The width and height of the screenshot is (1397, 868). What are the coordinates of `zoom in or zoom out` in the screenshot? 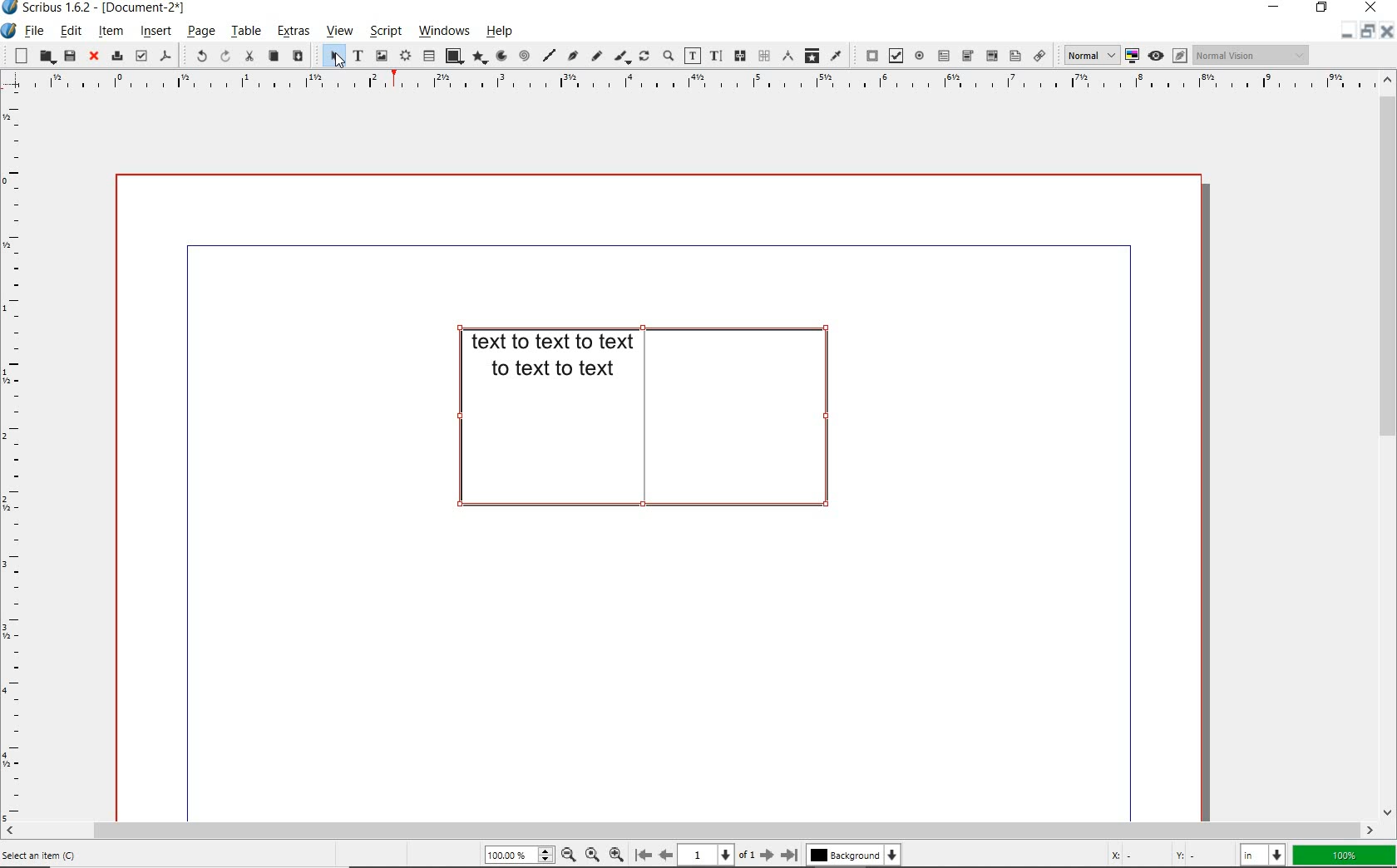 It's located at (667, 56).